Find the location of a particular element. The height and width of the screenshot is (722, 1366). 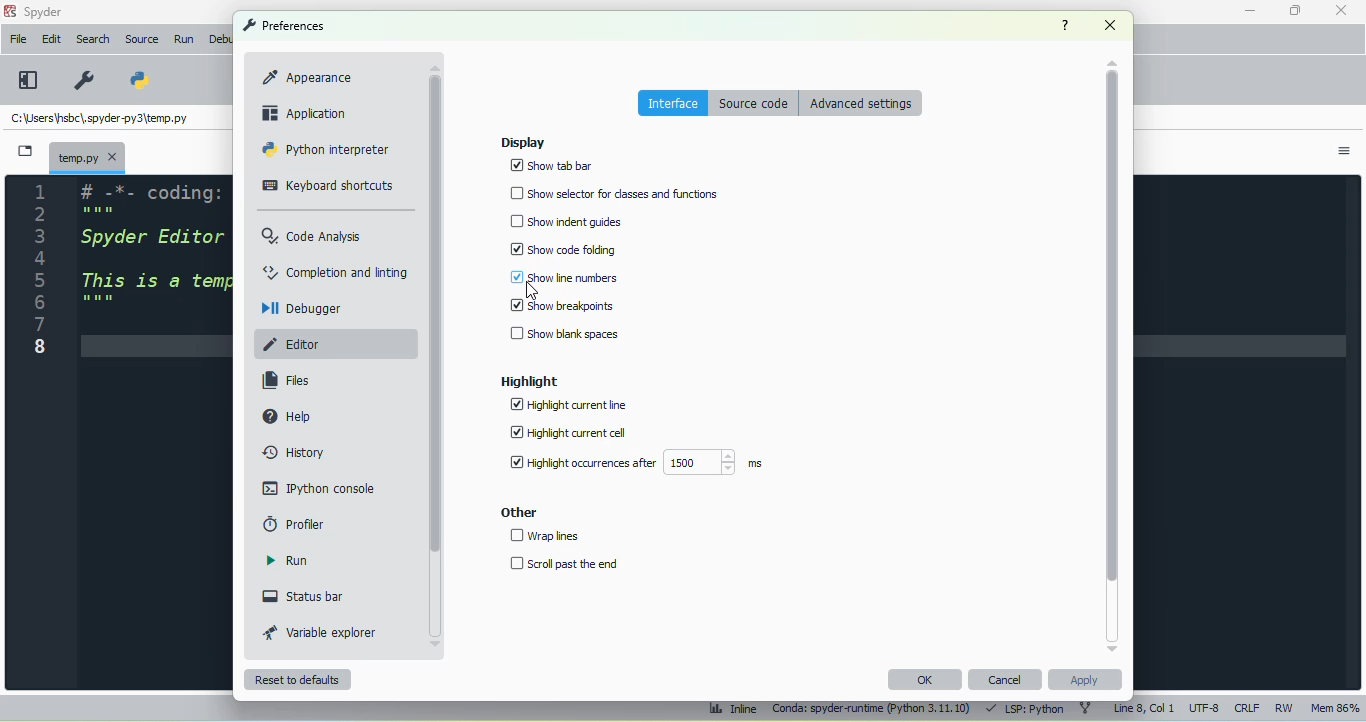

preferences is located at coordinates (283, 25).